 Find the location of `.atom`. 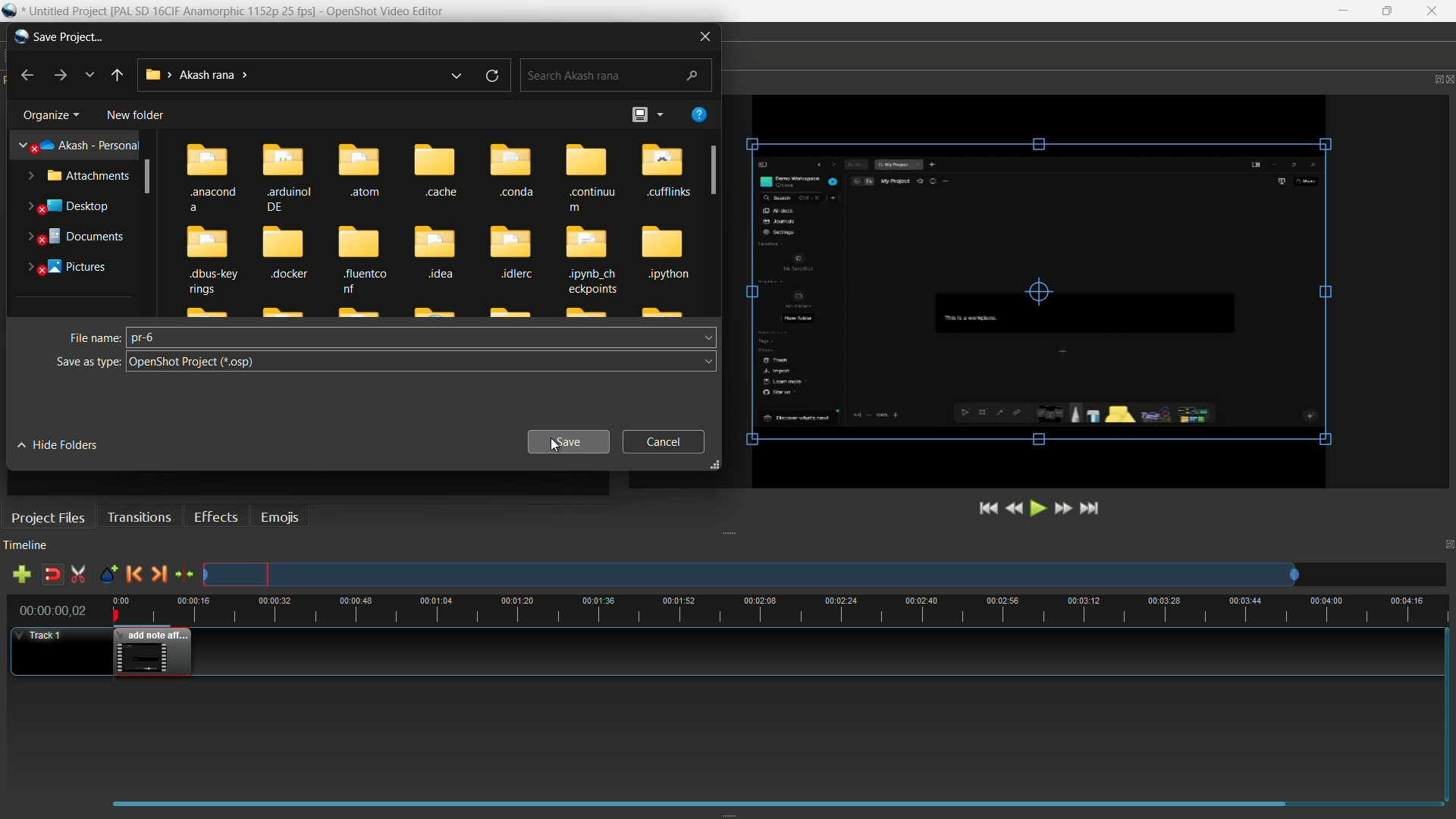

.atom is located at coordinates (362, 173).